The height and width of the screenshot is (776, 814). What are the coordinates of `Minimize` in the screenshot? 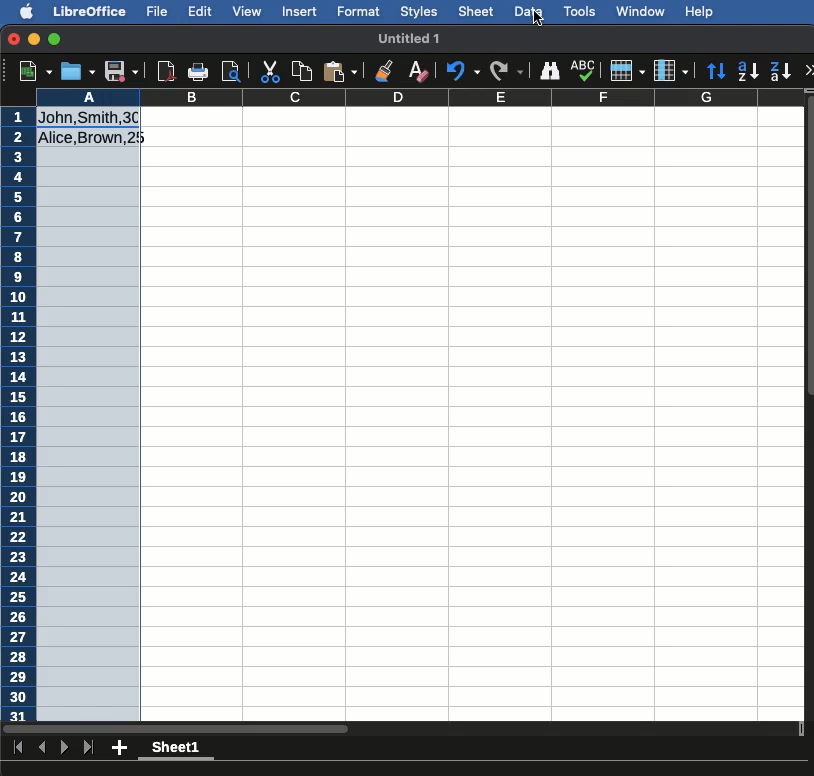 It's located at (34, 38).